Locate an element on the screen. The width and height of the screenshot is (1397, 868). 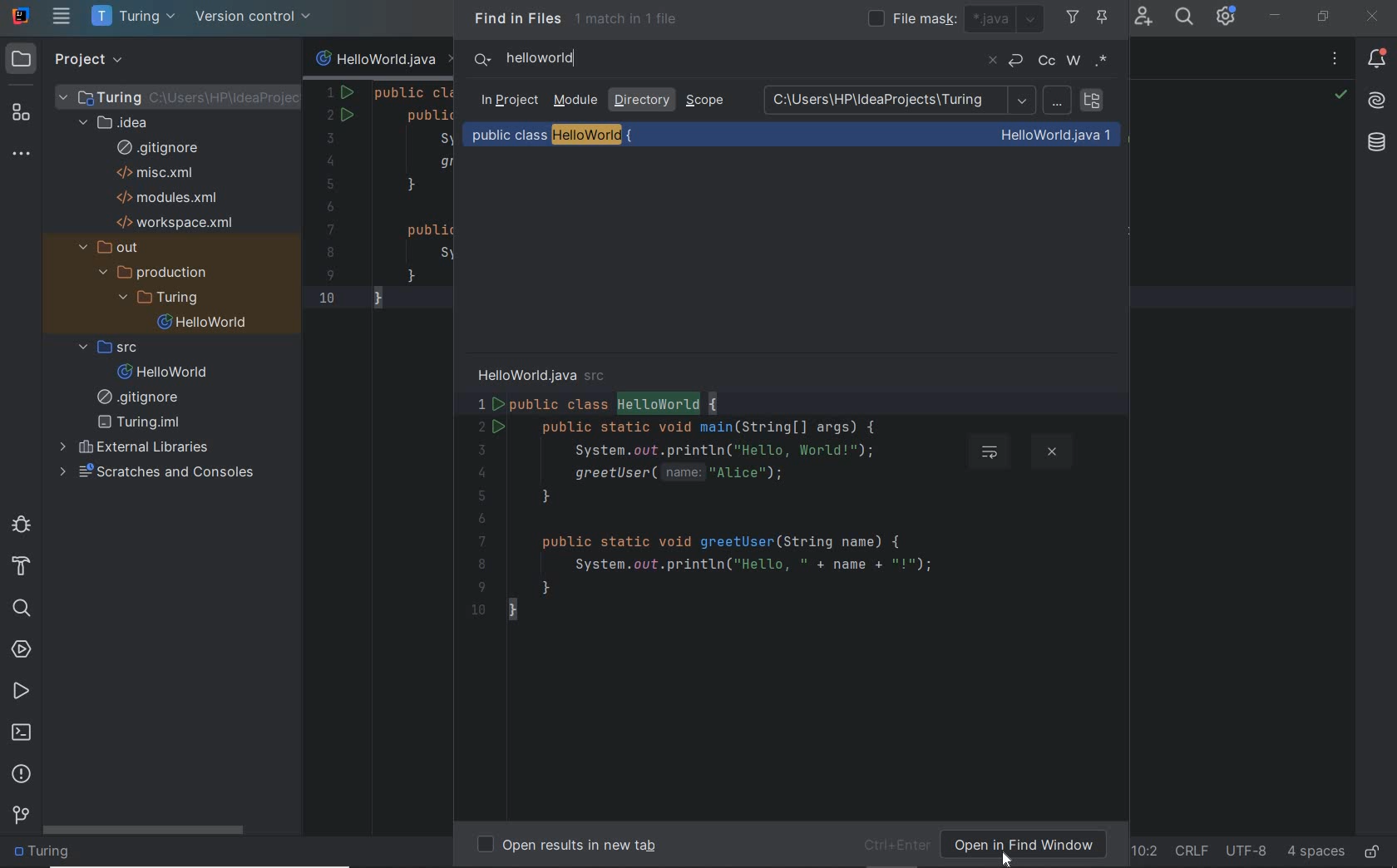
file name is located at coordinates (205, 325).